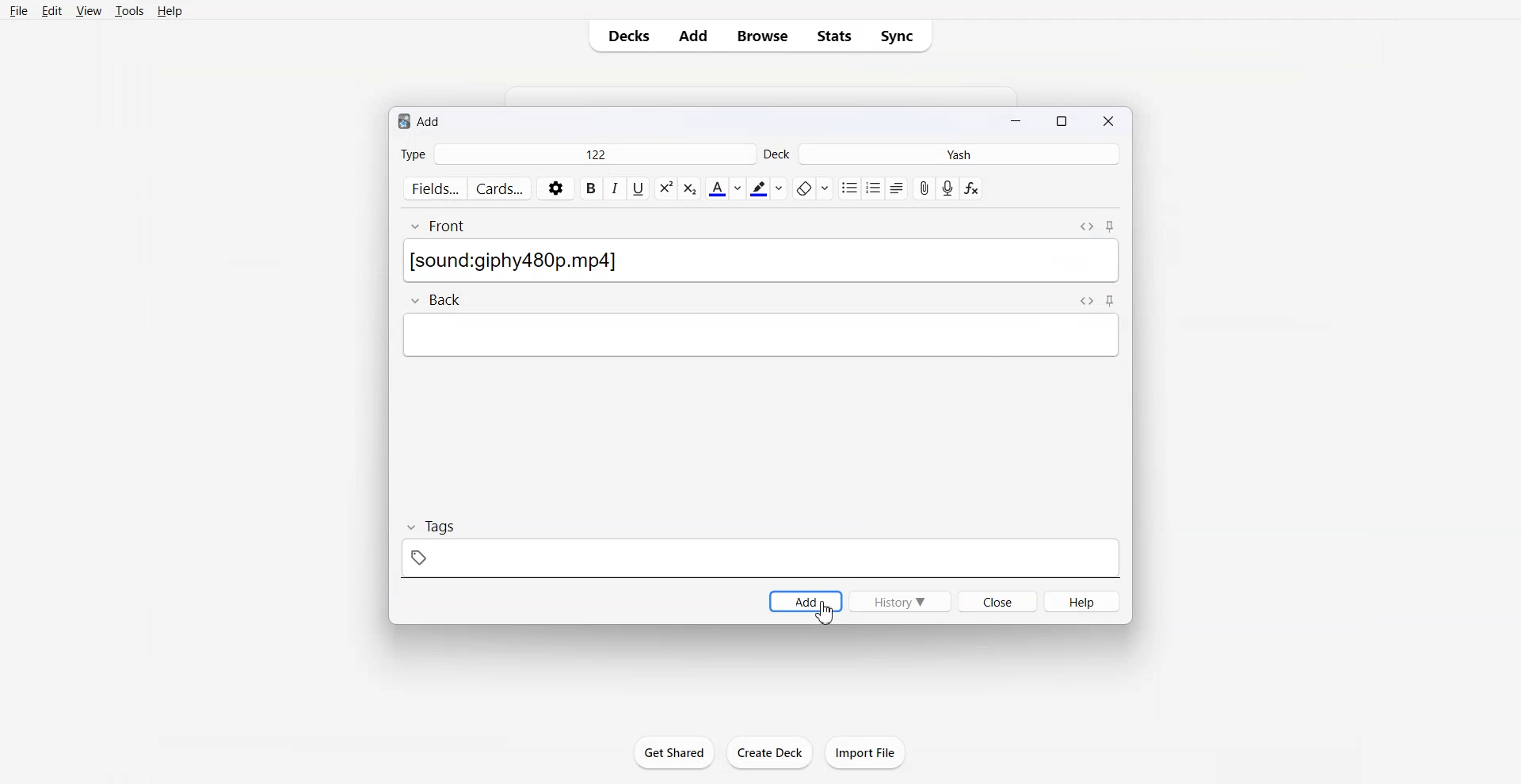 The image size is (1521, 784). I want to click on Close, so click(997, 601).